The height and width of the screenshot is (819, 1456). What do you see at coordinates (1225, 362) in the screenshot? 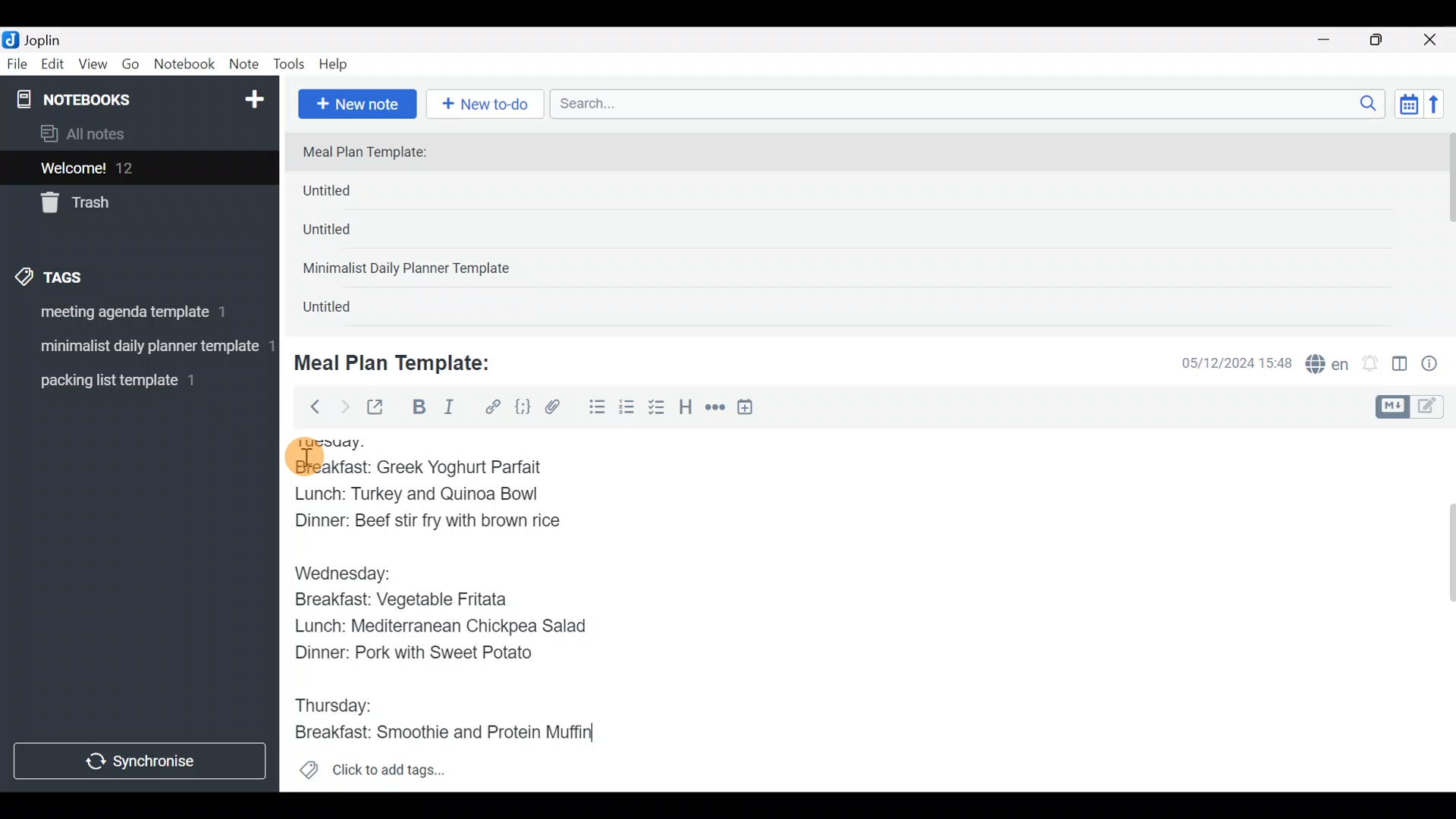
I see `Date & time` at bounding box center [1225, 362].